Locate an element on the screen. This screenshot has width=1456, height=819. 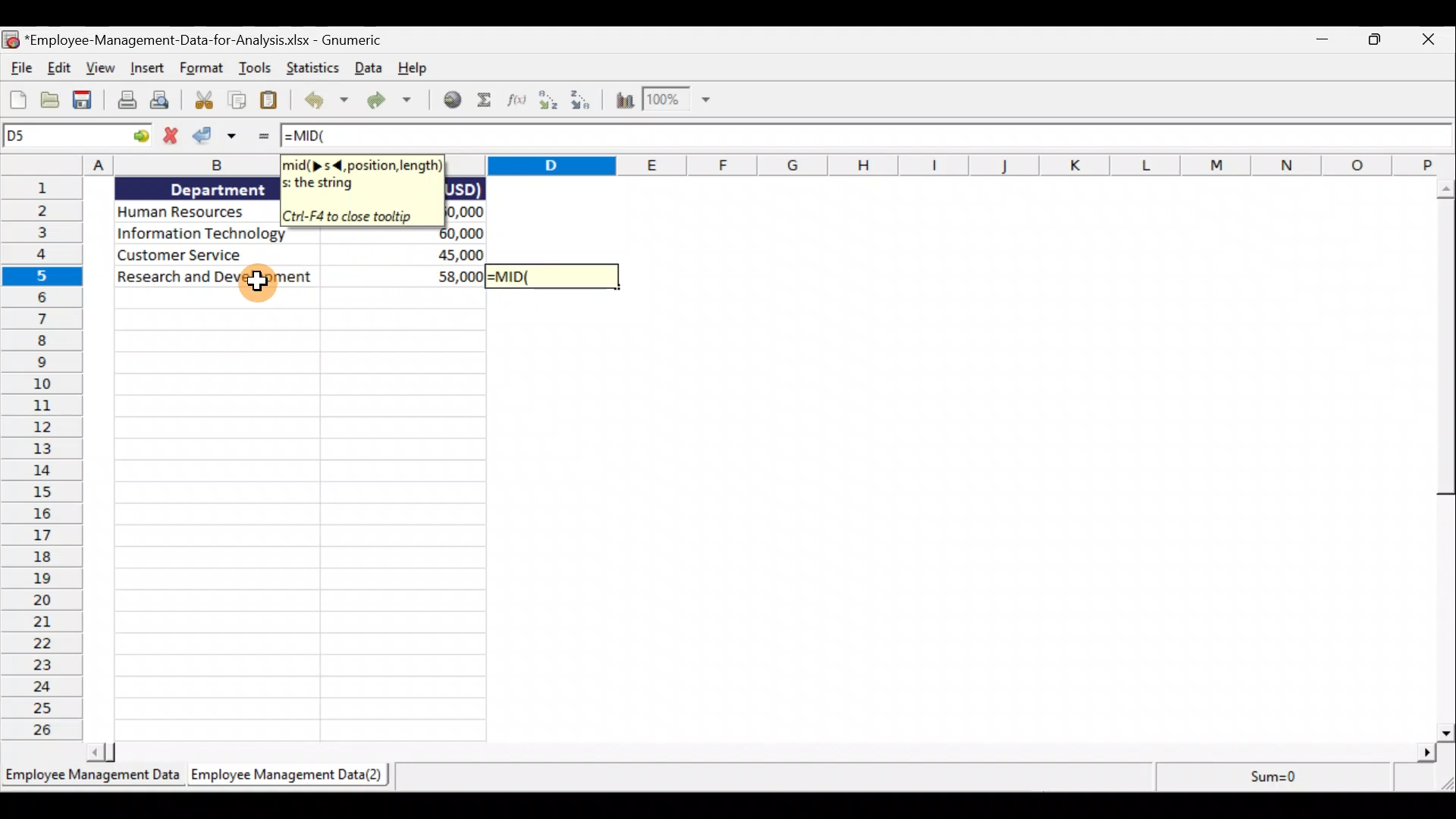
cursor is located at coordinates (260, 278).